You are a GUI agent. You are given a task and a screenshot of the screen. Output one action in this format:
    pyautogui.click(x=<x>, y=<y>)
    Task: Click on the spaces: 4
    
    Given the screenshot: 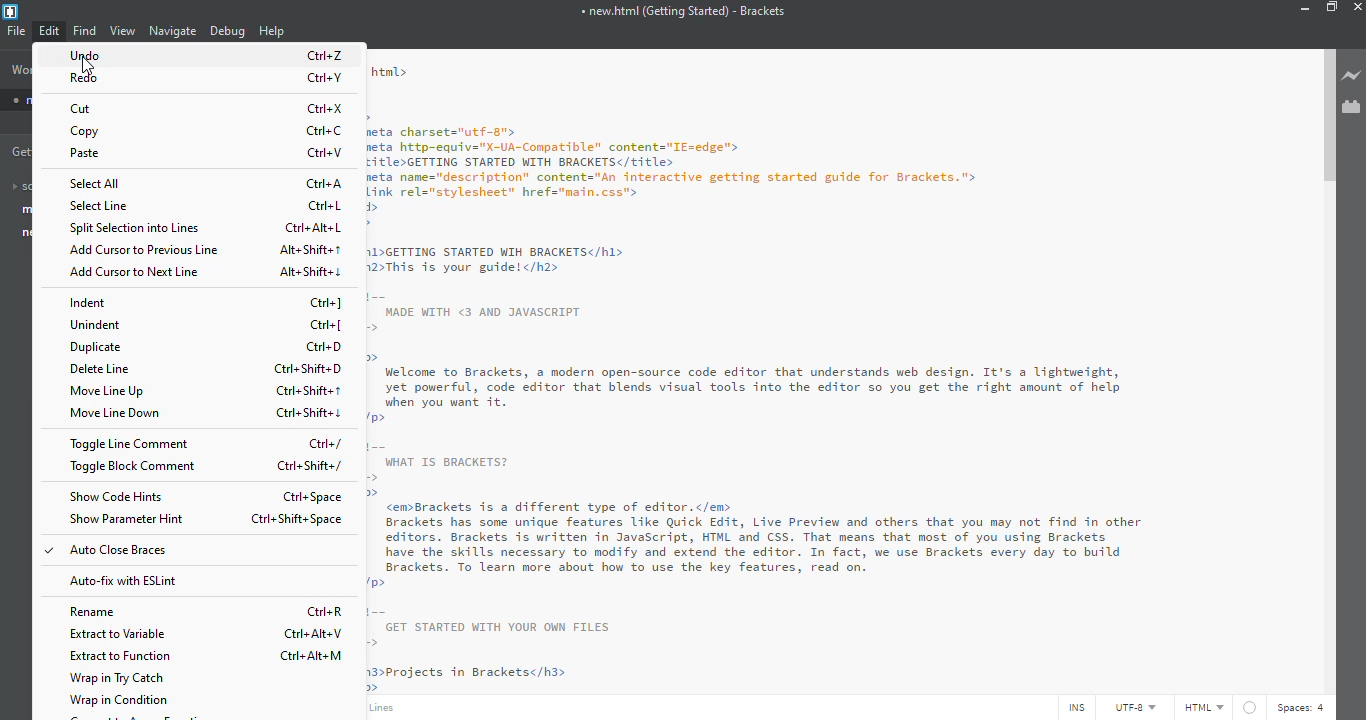 What is the action you would take?
    pyautogui.click(x=1304, y=708)
    